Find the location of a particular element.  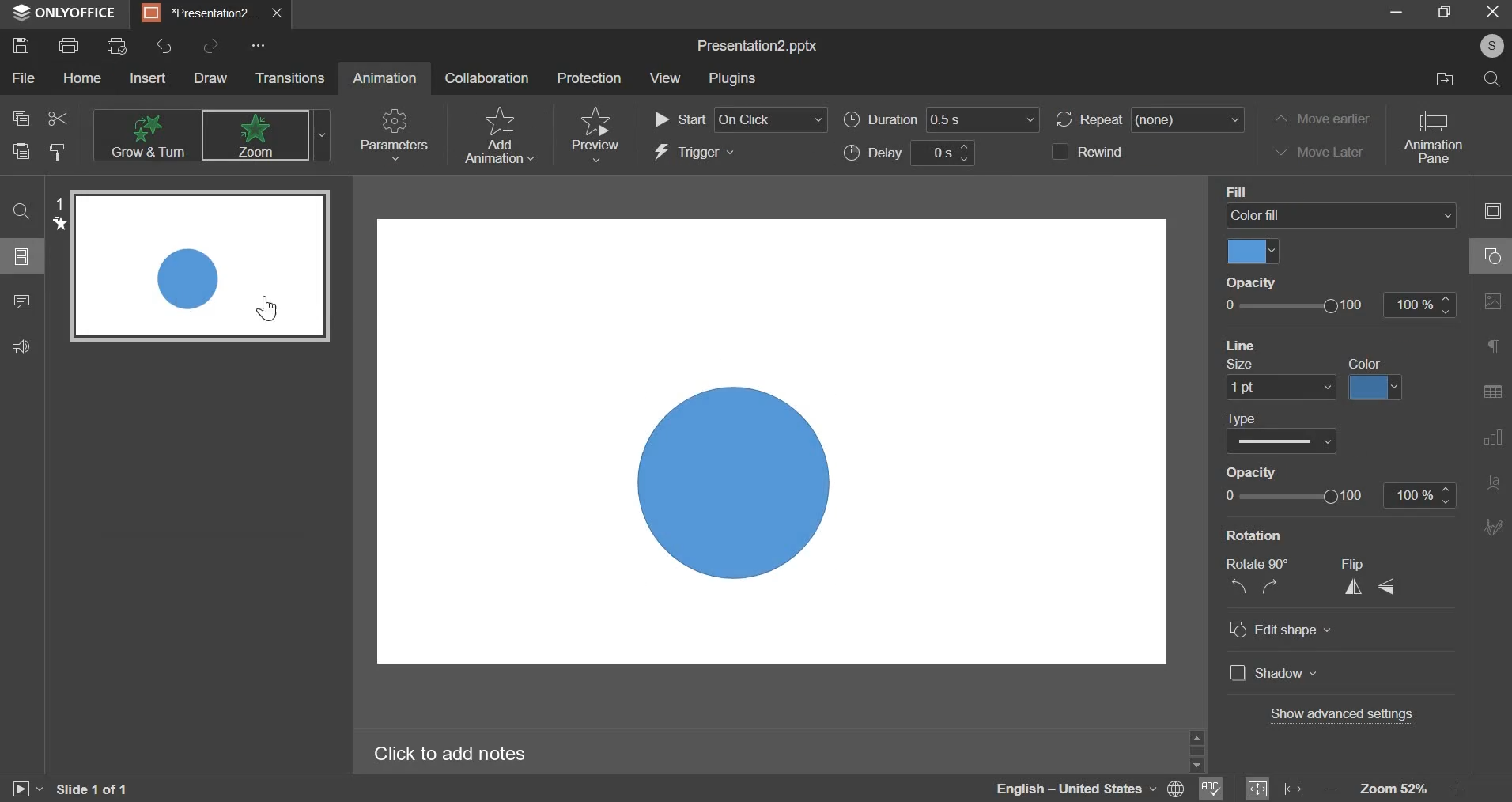

opacity is located at coordinates (1340, 494).